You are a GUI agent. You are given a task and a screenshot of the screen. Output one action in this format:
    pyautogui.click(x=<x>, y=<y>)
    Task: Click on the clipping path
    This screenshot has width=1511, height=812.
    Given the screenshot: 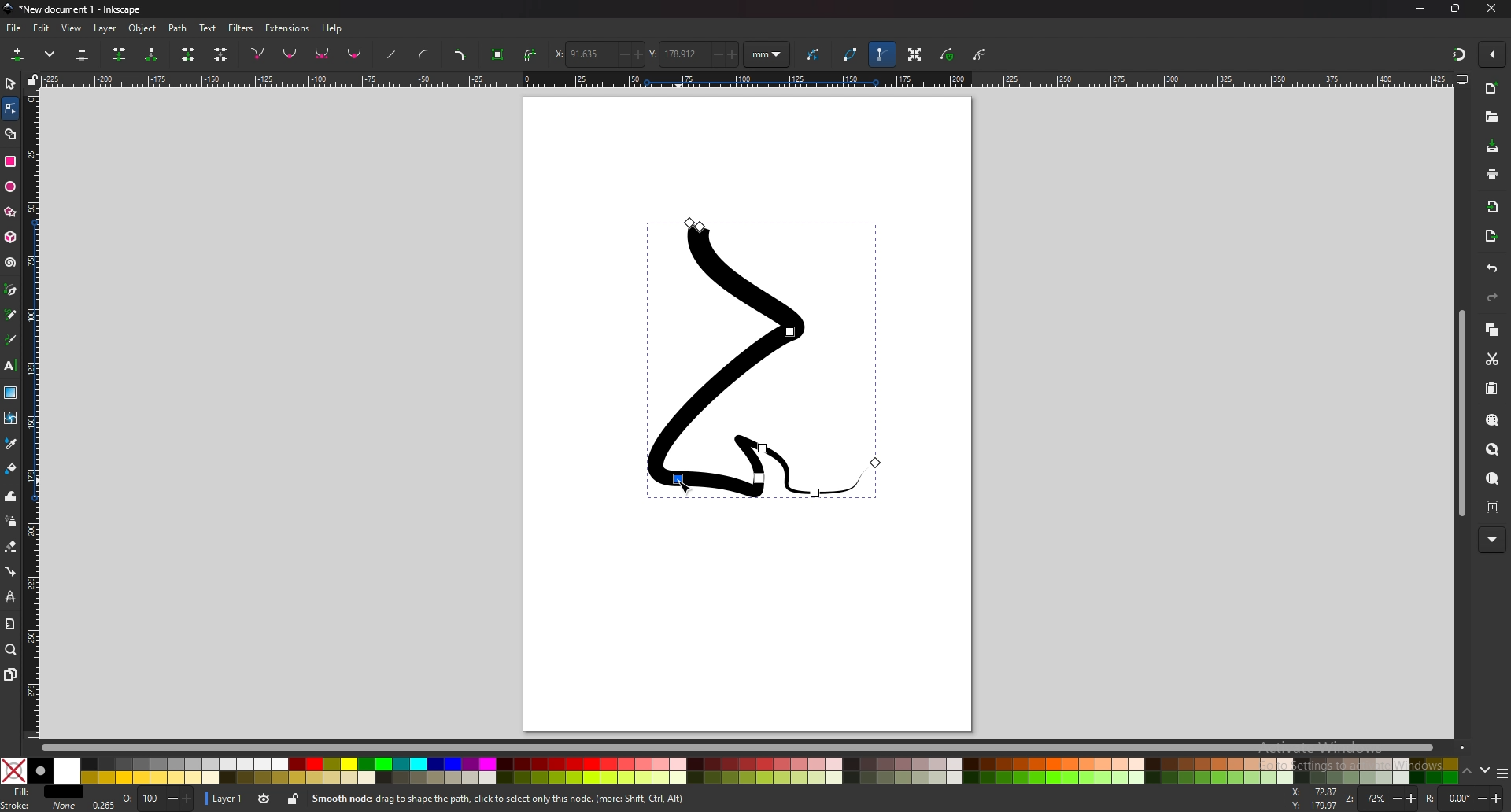 What is the action you would take?
    pyautogui.click(x=980, y=54)
    